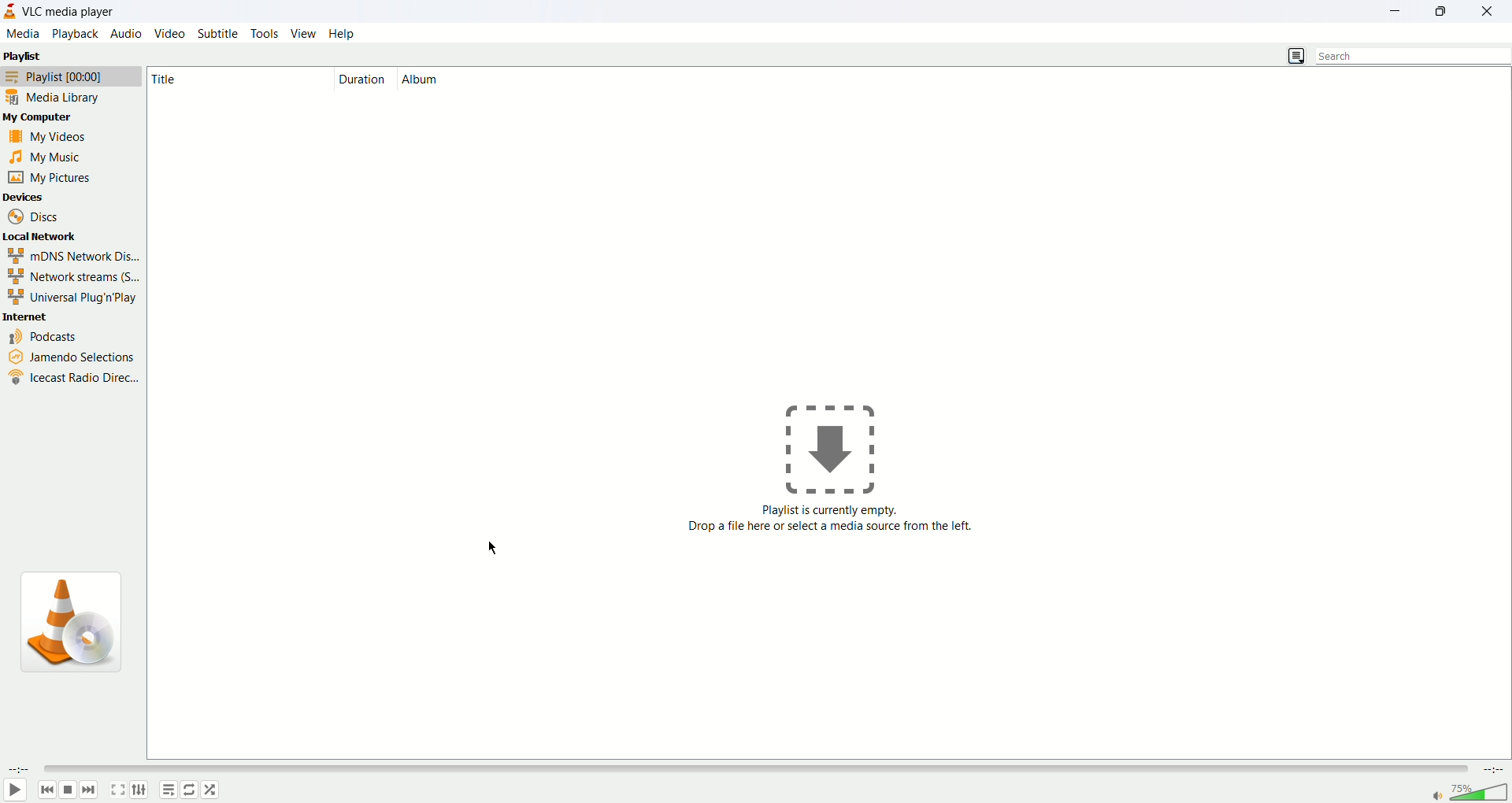  What do you see at coordinates (190, 790) in the screenshot?
I see `toggle loop` at bounding box center [190, 790].